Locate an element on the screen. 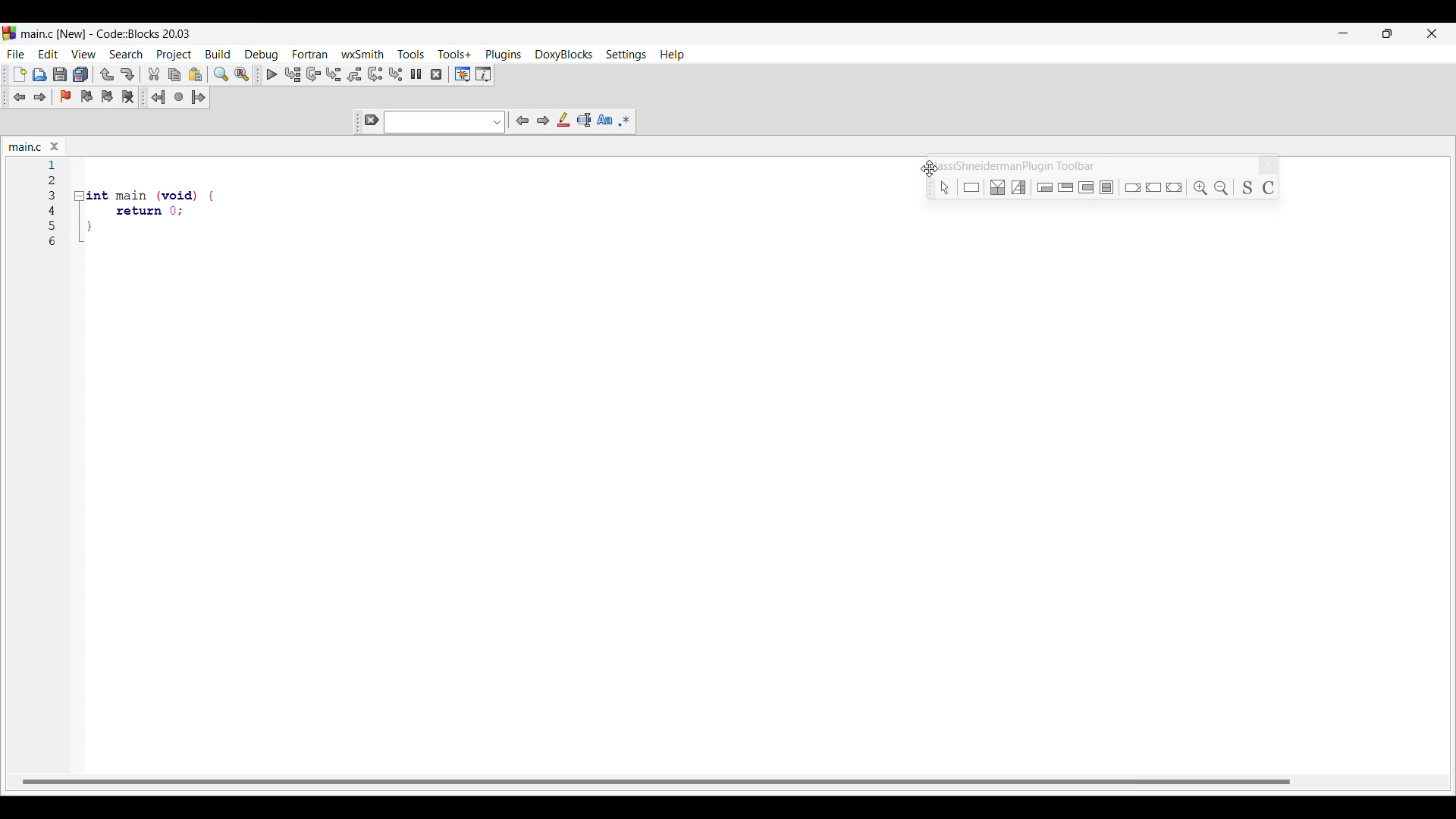   is located at coordinates (1224, 185).